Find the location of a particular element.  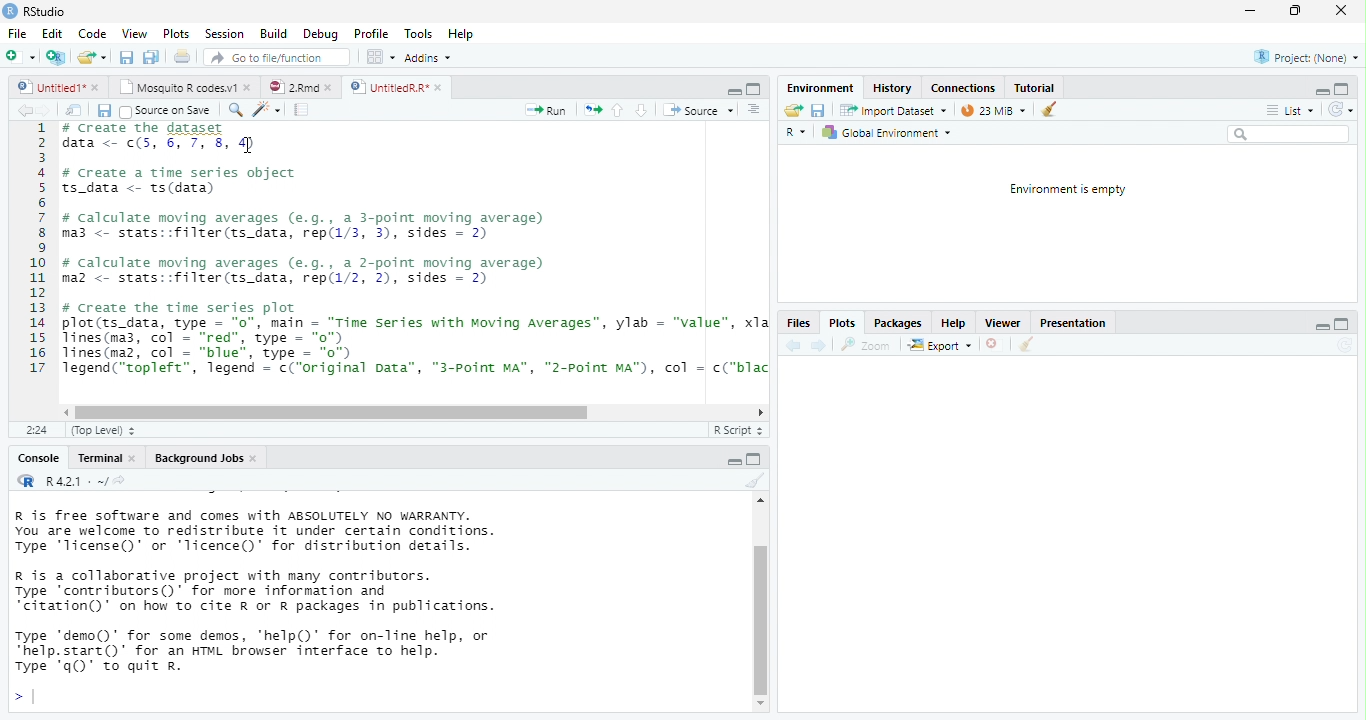

Profile is located at coordinates (371, 34).